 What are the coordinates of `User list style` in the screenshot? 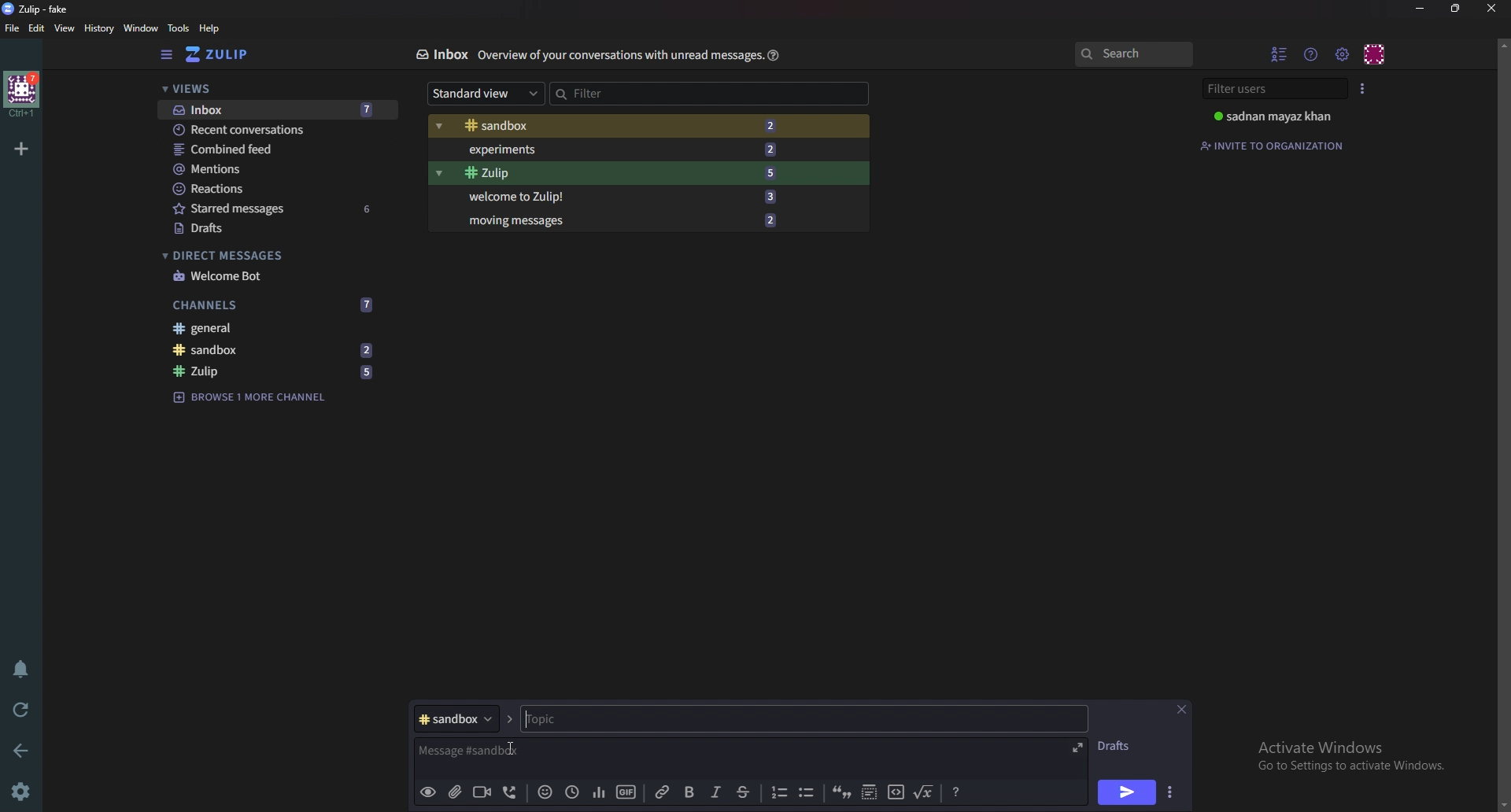 It's located at (1362, 88).